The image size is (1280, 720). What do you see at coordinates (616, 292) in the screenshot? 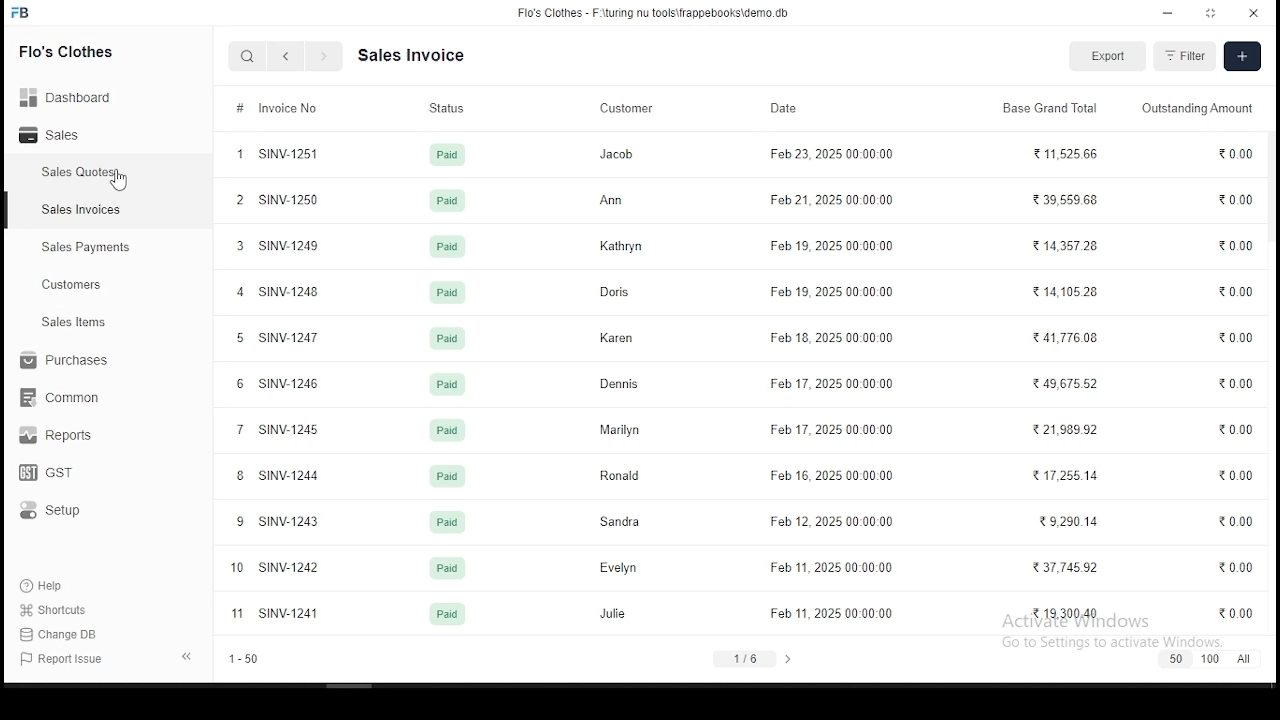
I see `Doris.` at bounding box center [616, 292].